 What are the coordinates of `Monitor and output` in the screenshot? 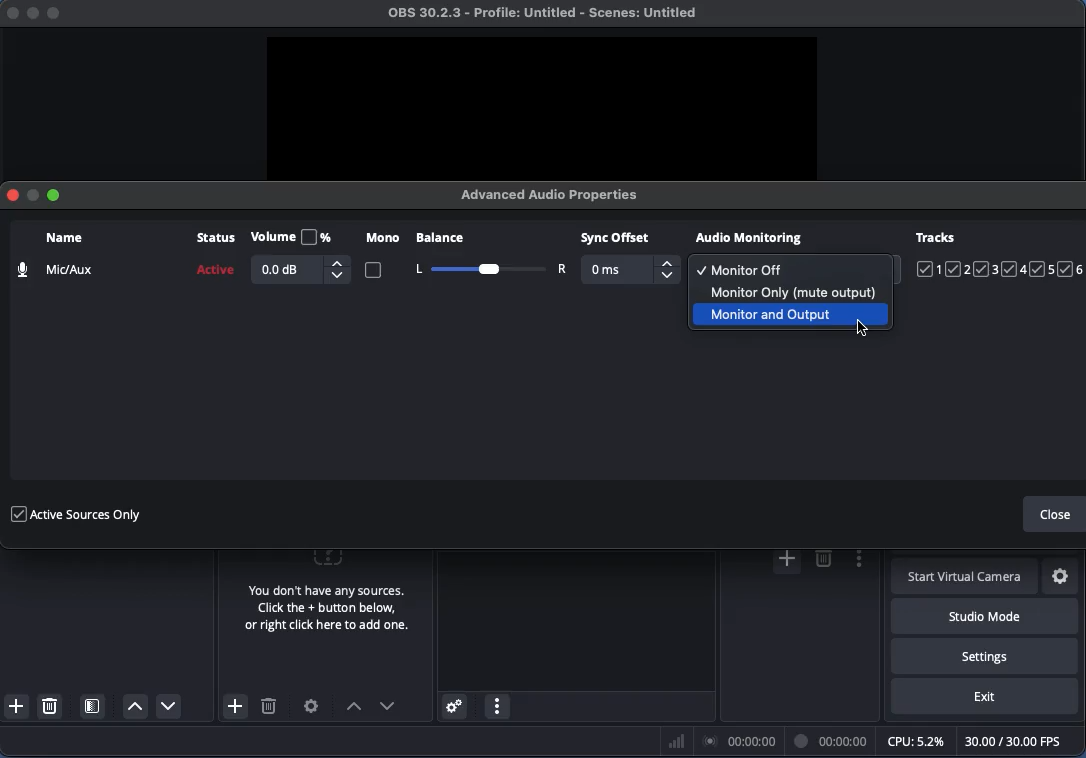 It's located at (792, 314).